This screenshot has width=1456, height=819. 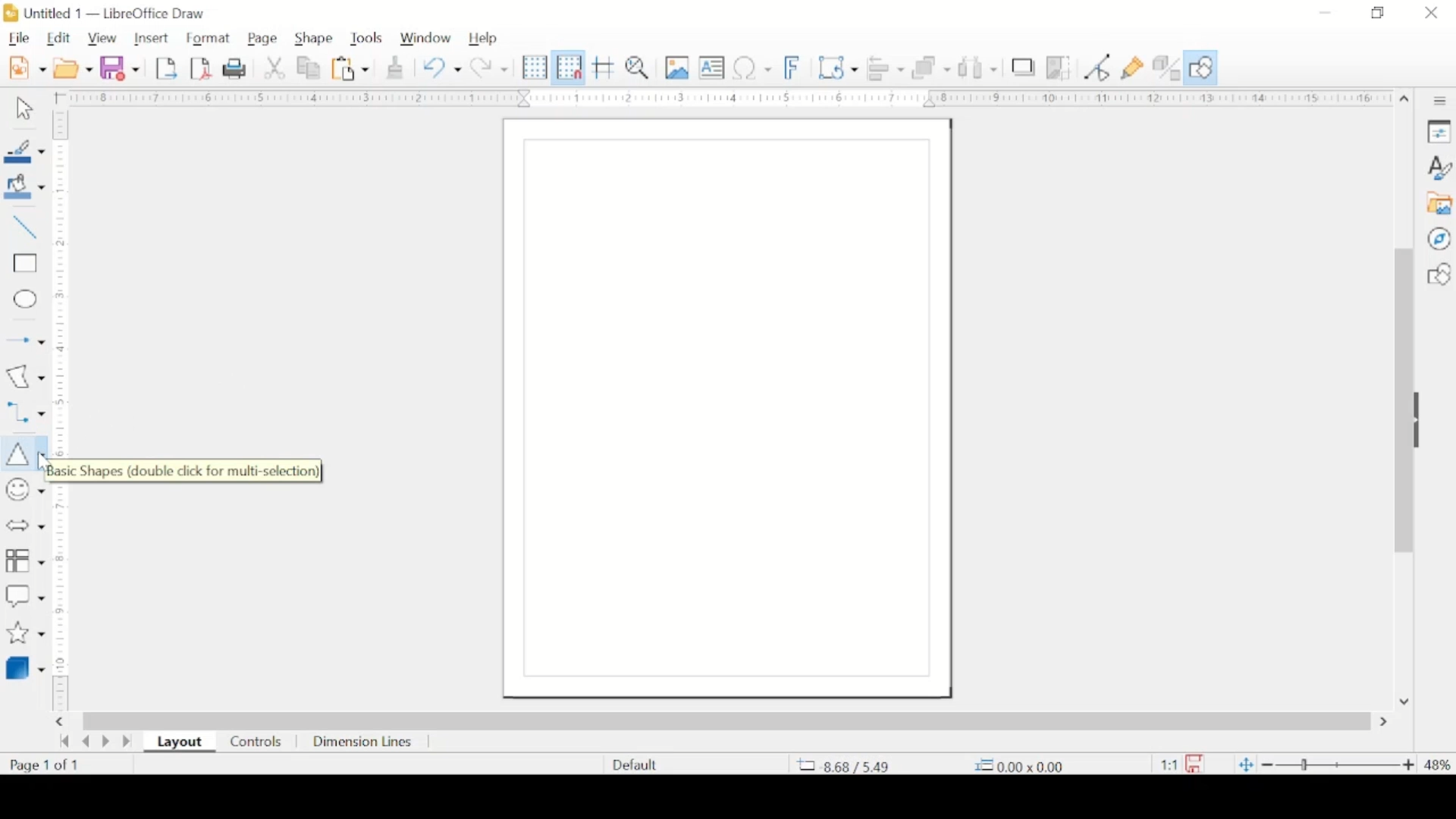 I want to click on shadow, so click(x=1025, y=67).